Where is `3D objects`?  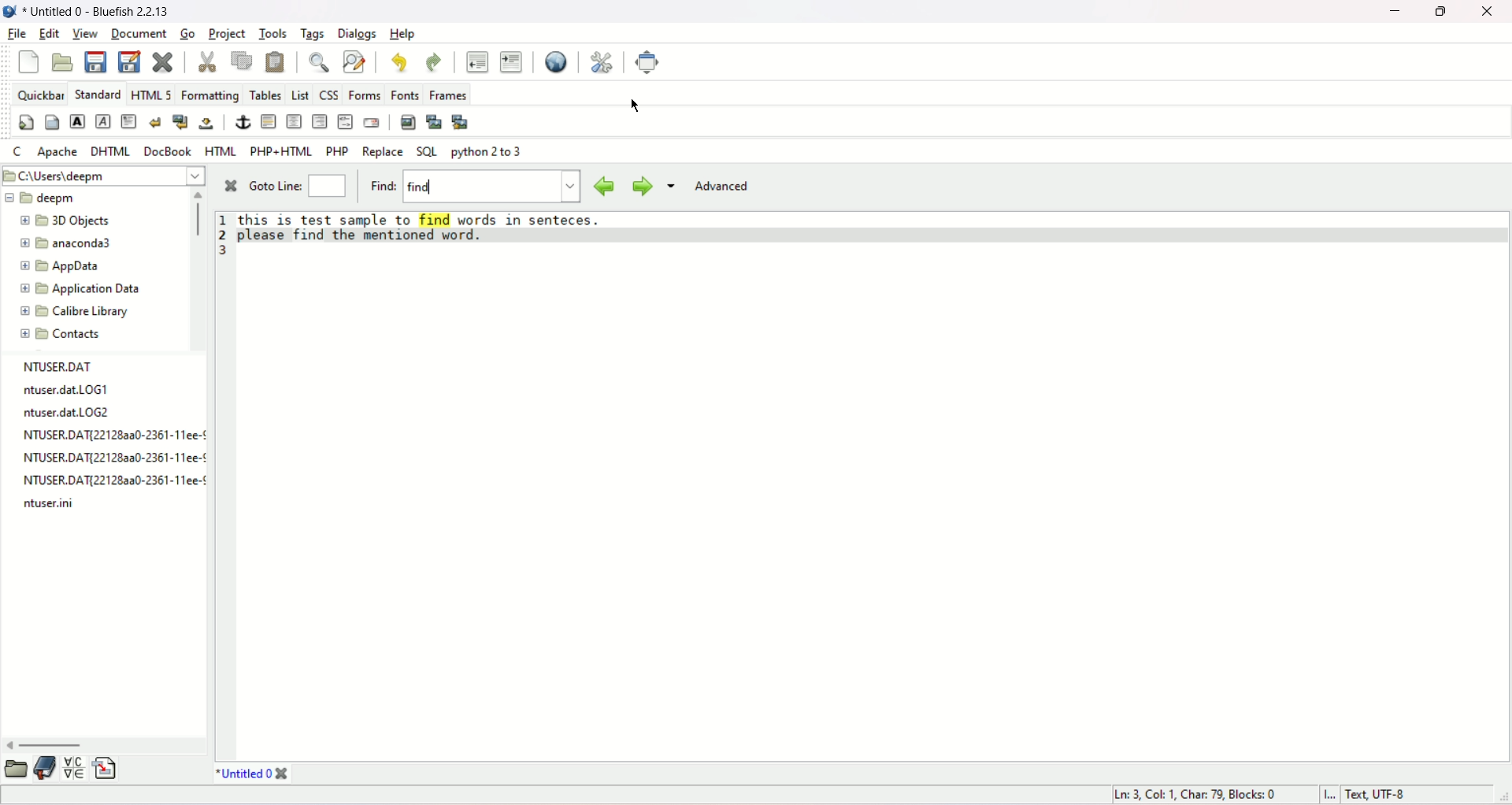
3D objects is located at coordinates (69, 220).